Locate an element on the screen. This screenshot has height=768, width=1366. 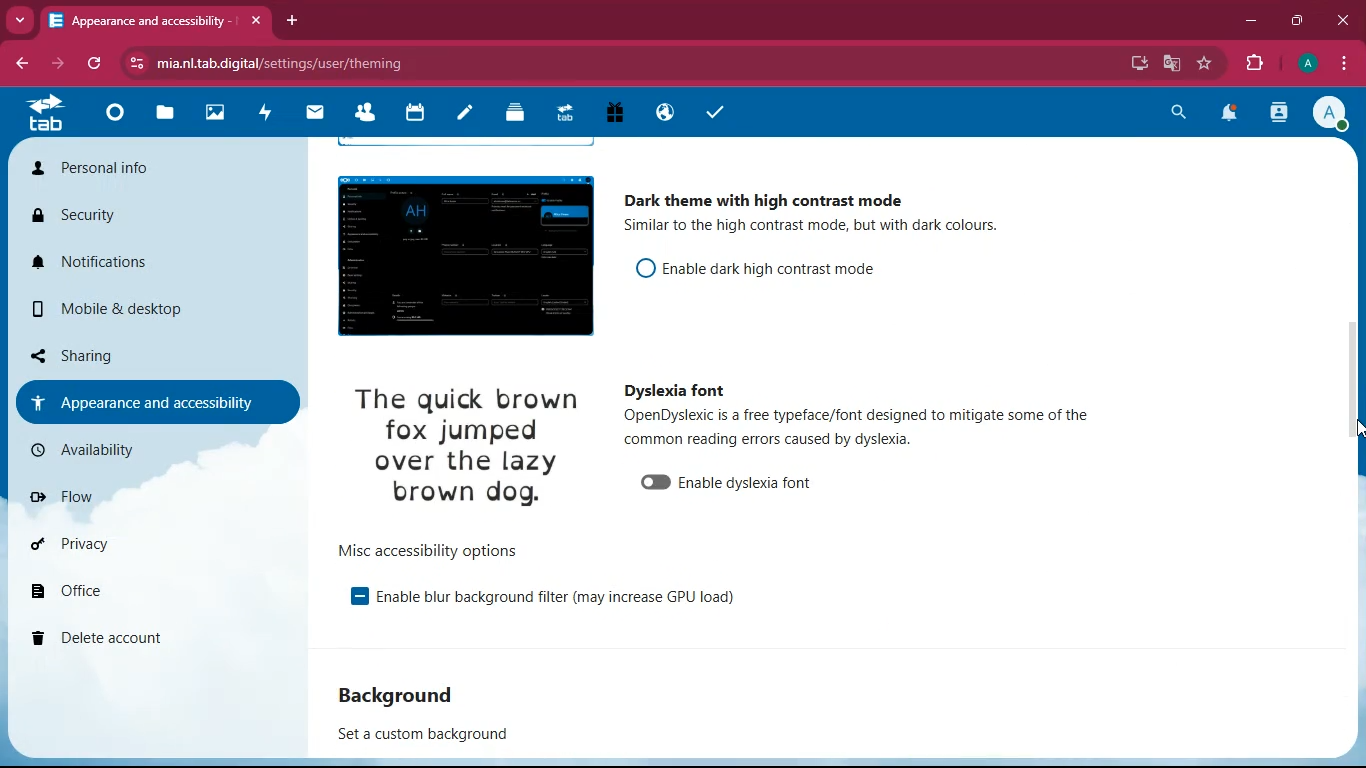
dark theme is located at coordinates (783, 197).